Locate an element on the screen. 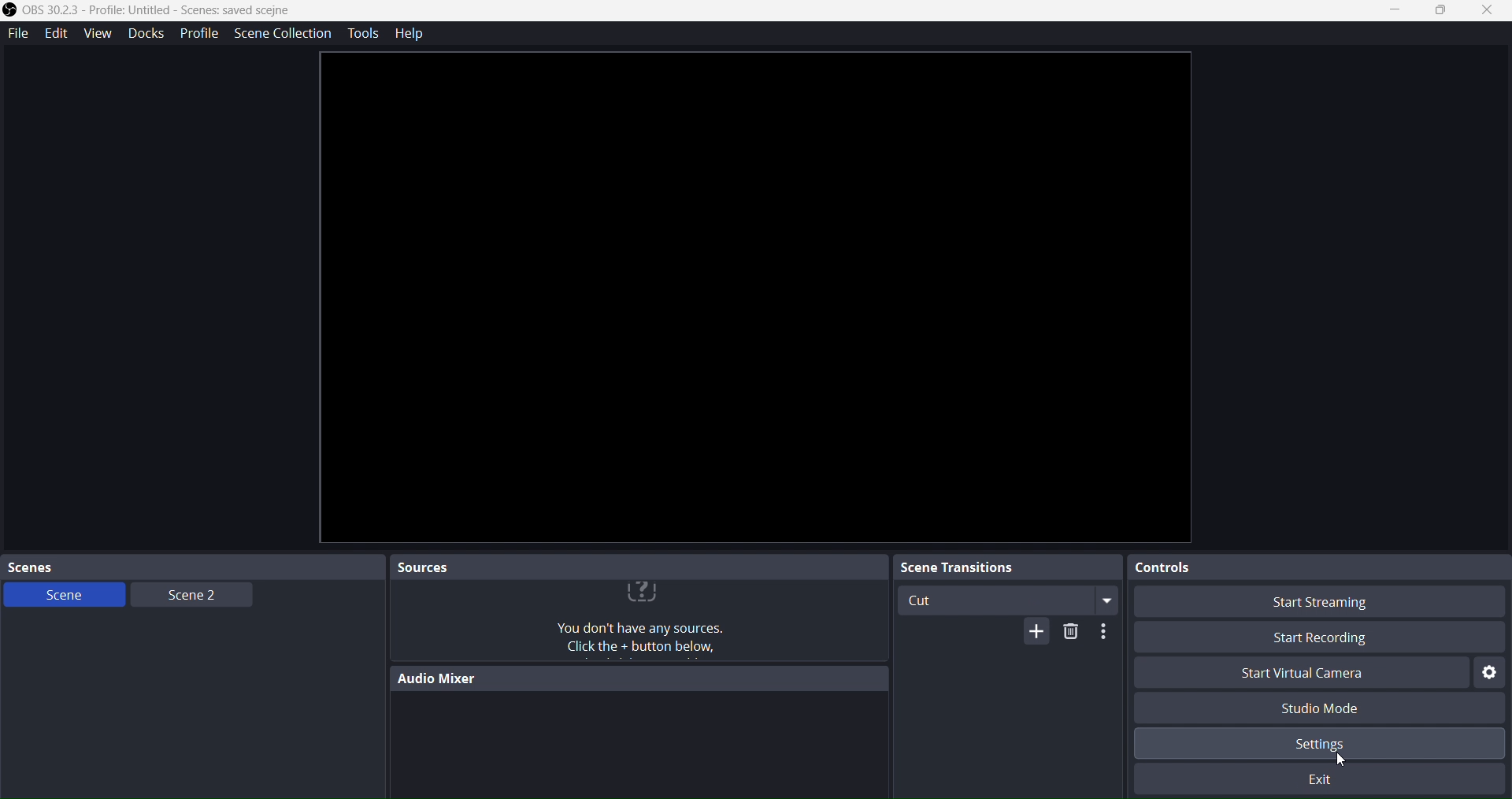 This screenshot has width=1512, height=799. cursor is located at coordinates (1340, 759).